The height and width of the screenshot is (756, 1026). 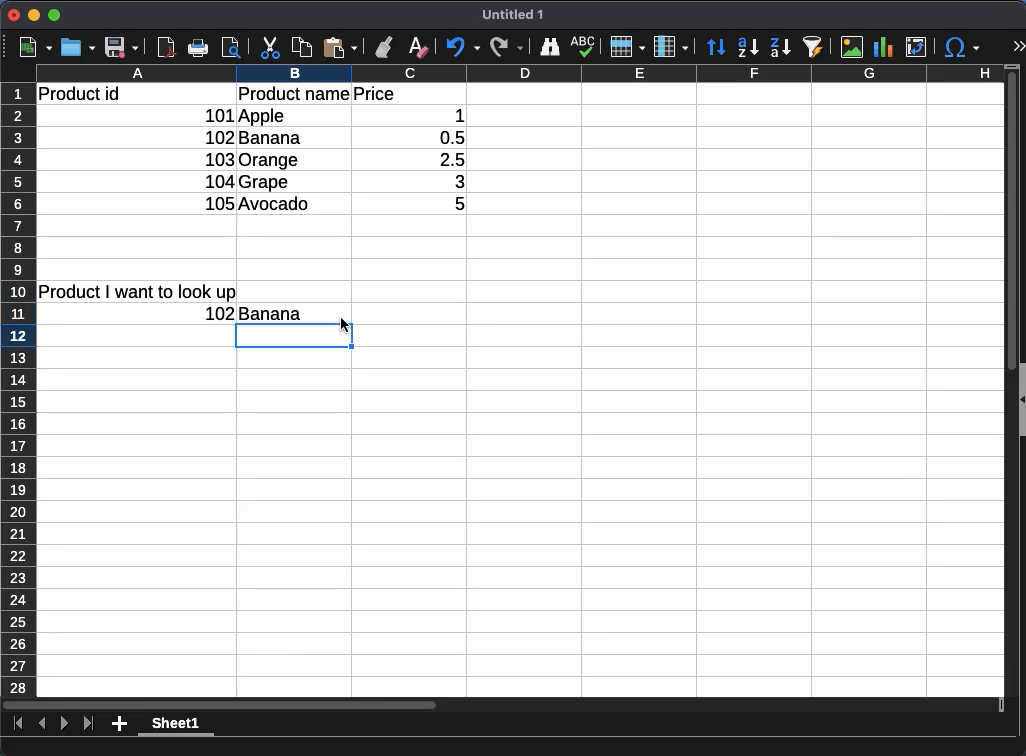 What do you see at coordinates (450, 182) in the screenshot?
I see `3` at bounding box center [450, 182].